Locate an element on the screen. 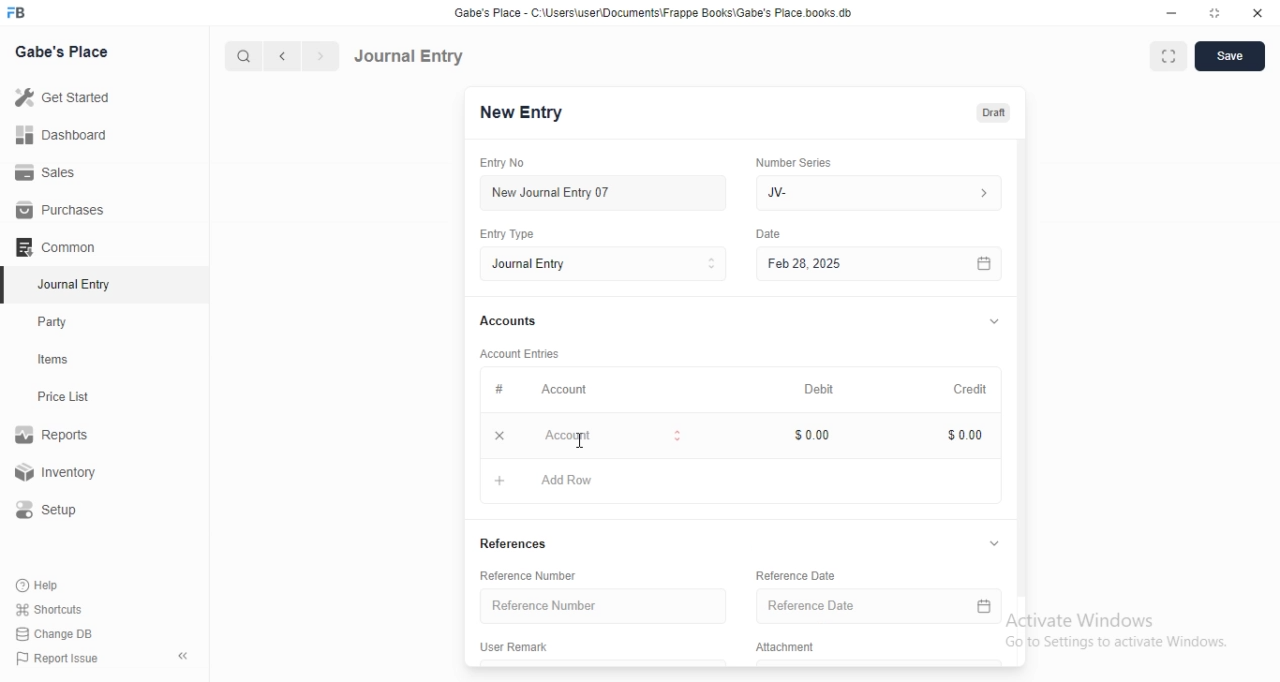 The image size is (1280, 682). ‘Journal Entry is located at coordinates (77, 284).